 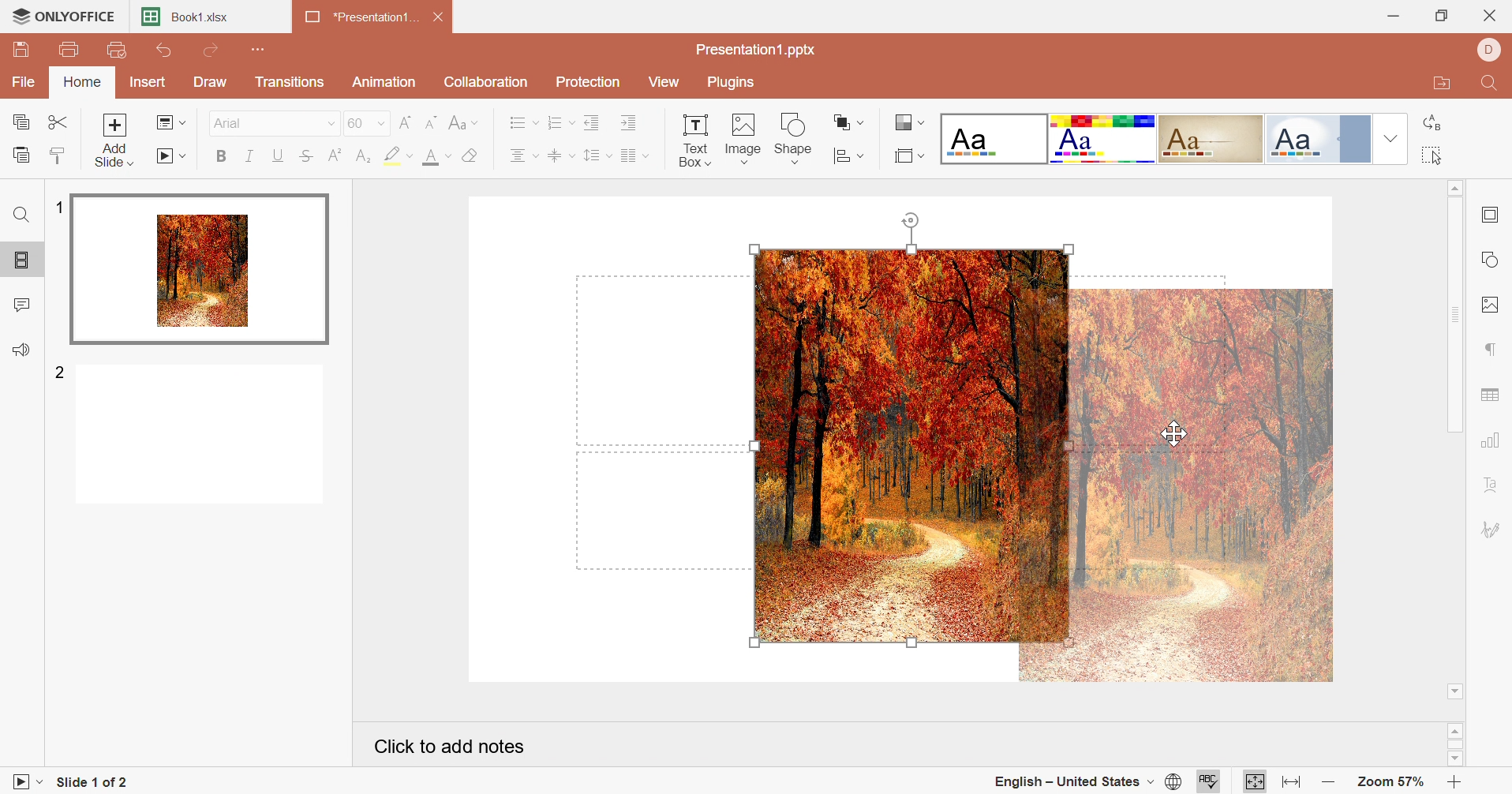 I want to click on Signature settings, so click(x=1493, y=530).